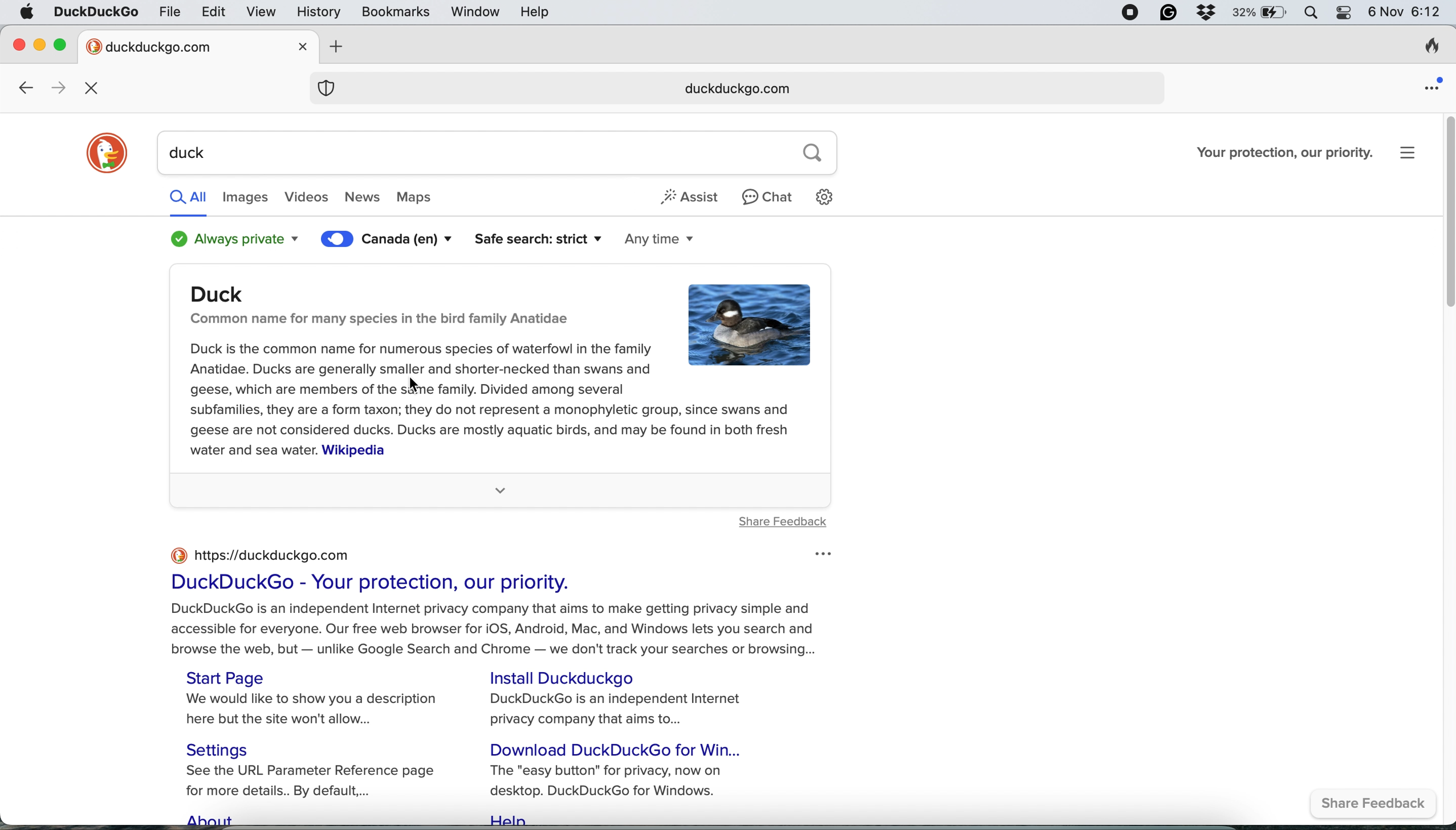 This screenshot has height=830, width=1456. I want to click on Duck, so click(227, 294).